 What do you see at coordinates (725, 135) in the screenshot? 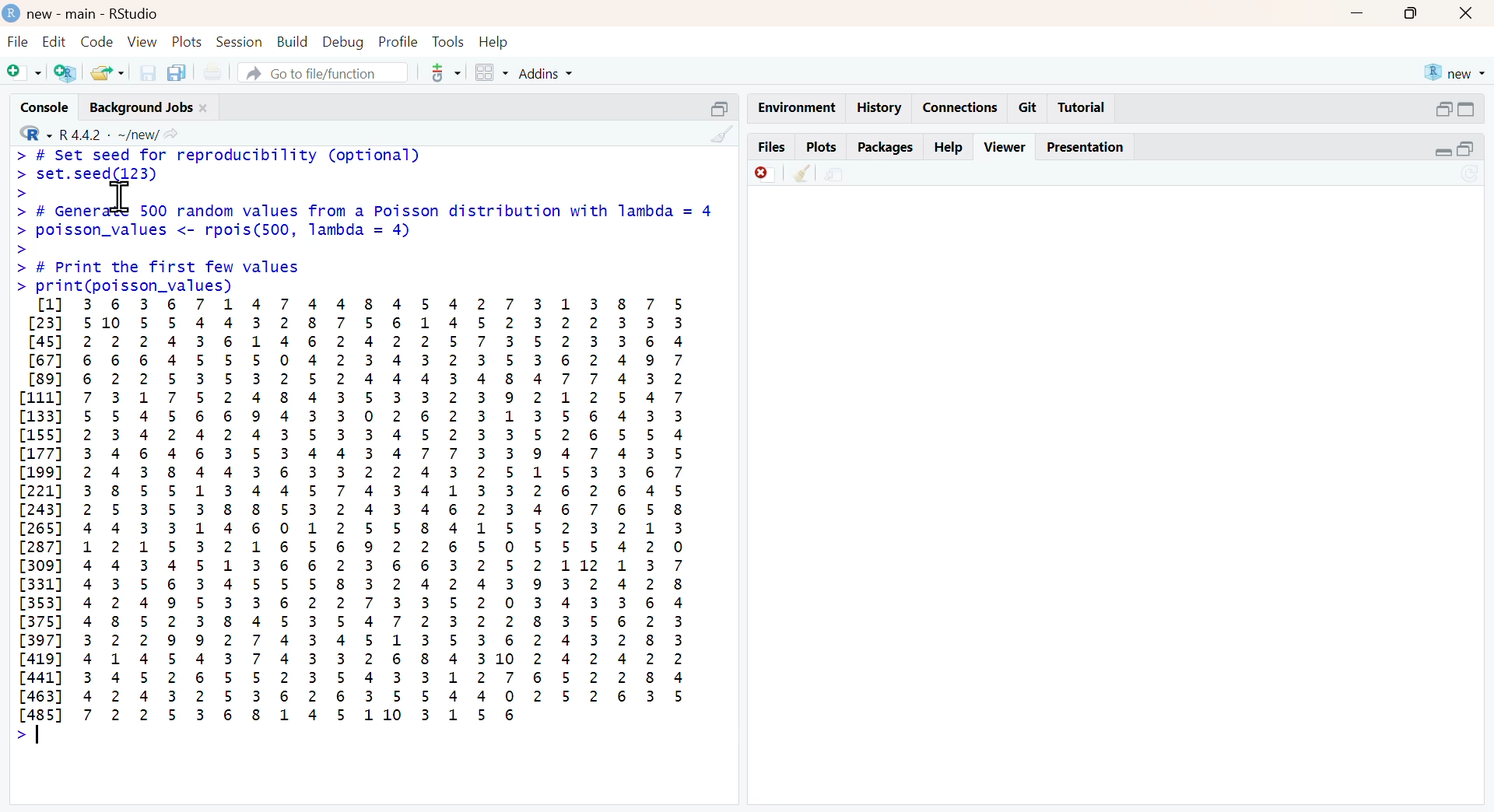
I see `clean` at bounding box center [725, 135].